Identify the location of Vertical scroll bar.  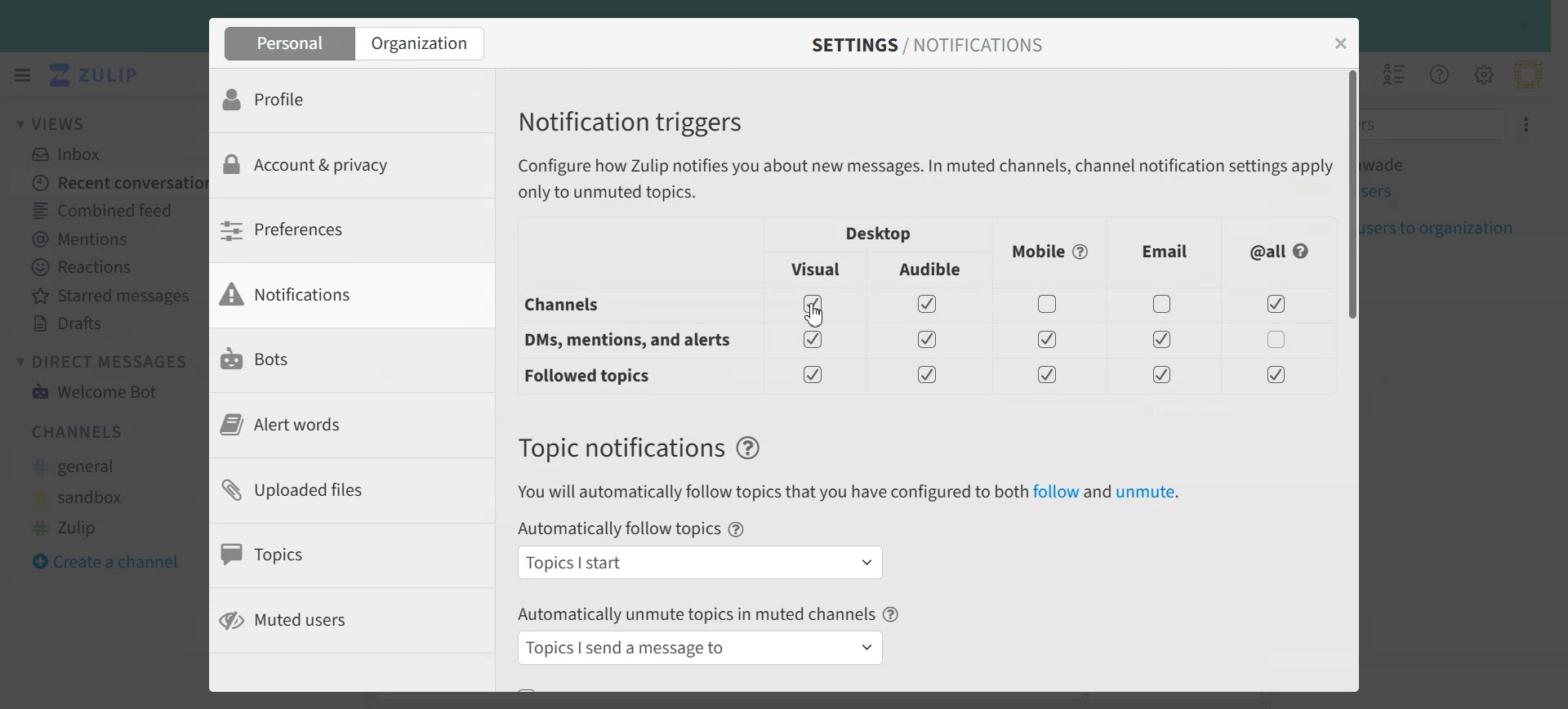
(1352, 379).